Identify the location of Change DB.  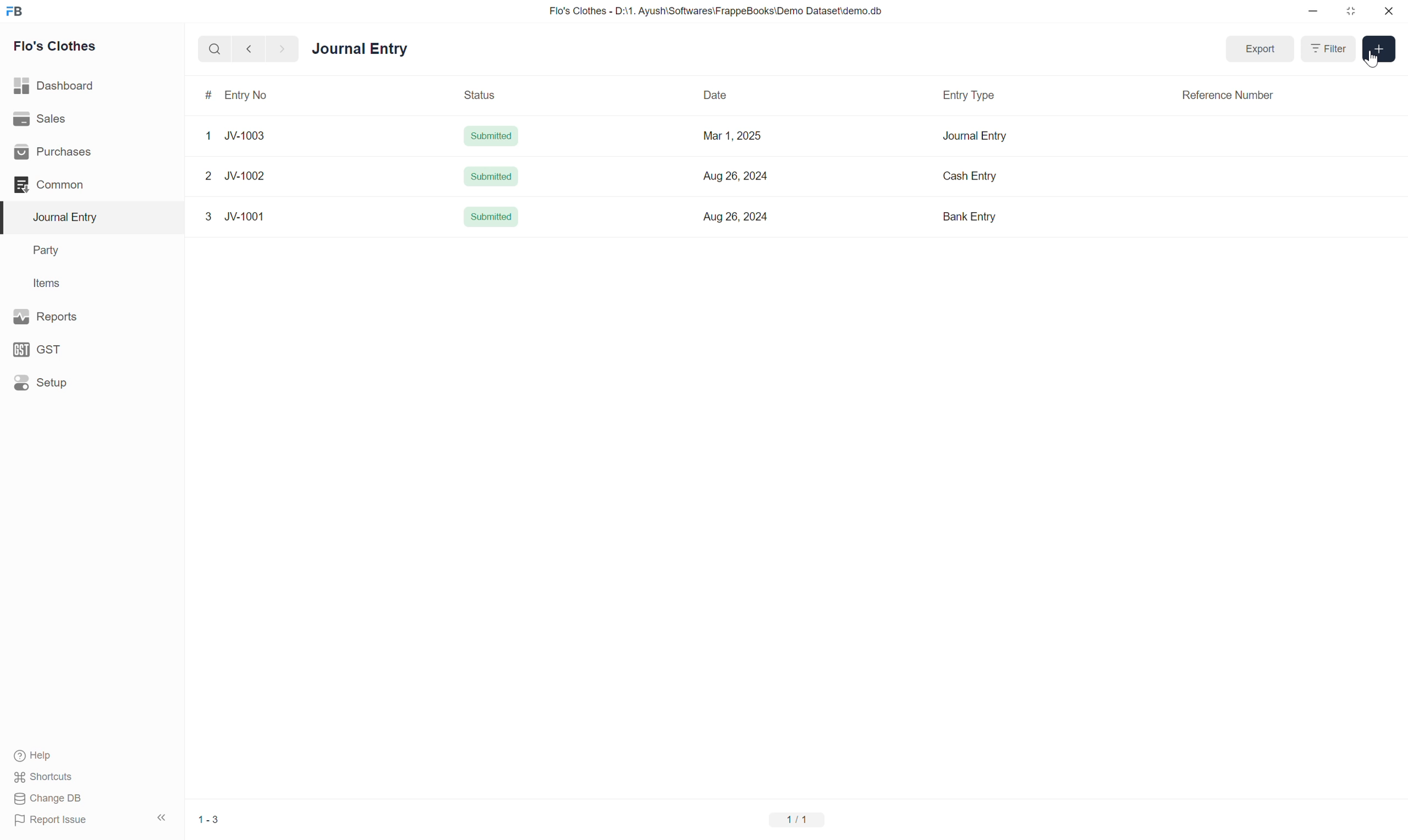
(48, 798).